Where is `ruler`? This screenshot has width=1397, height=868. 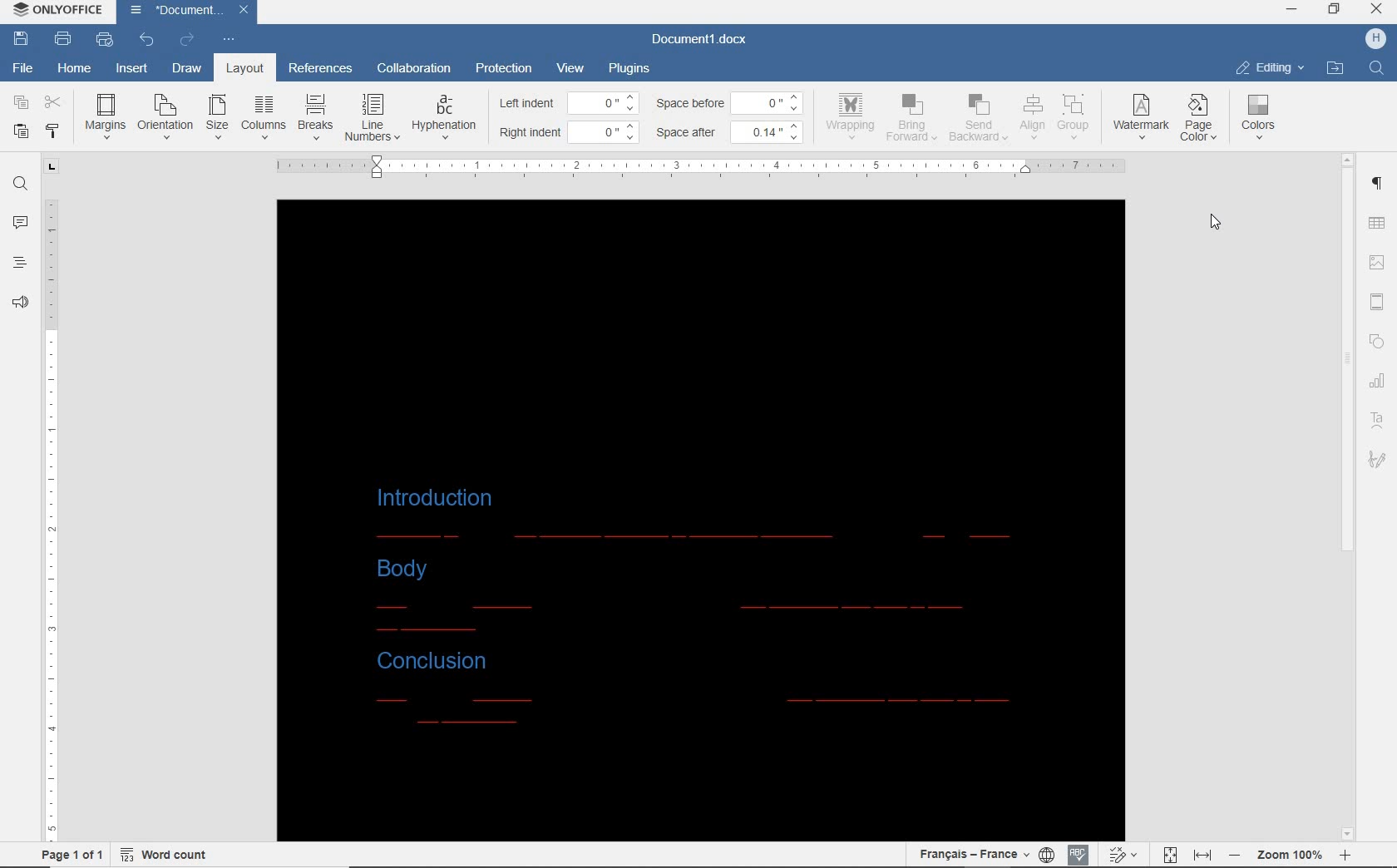 ruler is located at coordinates (52, 499).